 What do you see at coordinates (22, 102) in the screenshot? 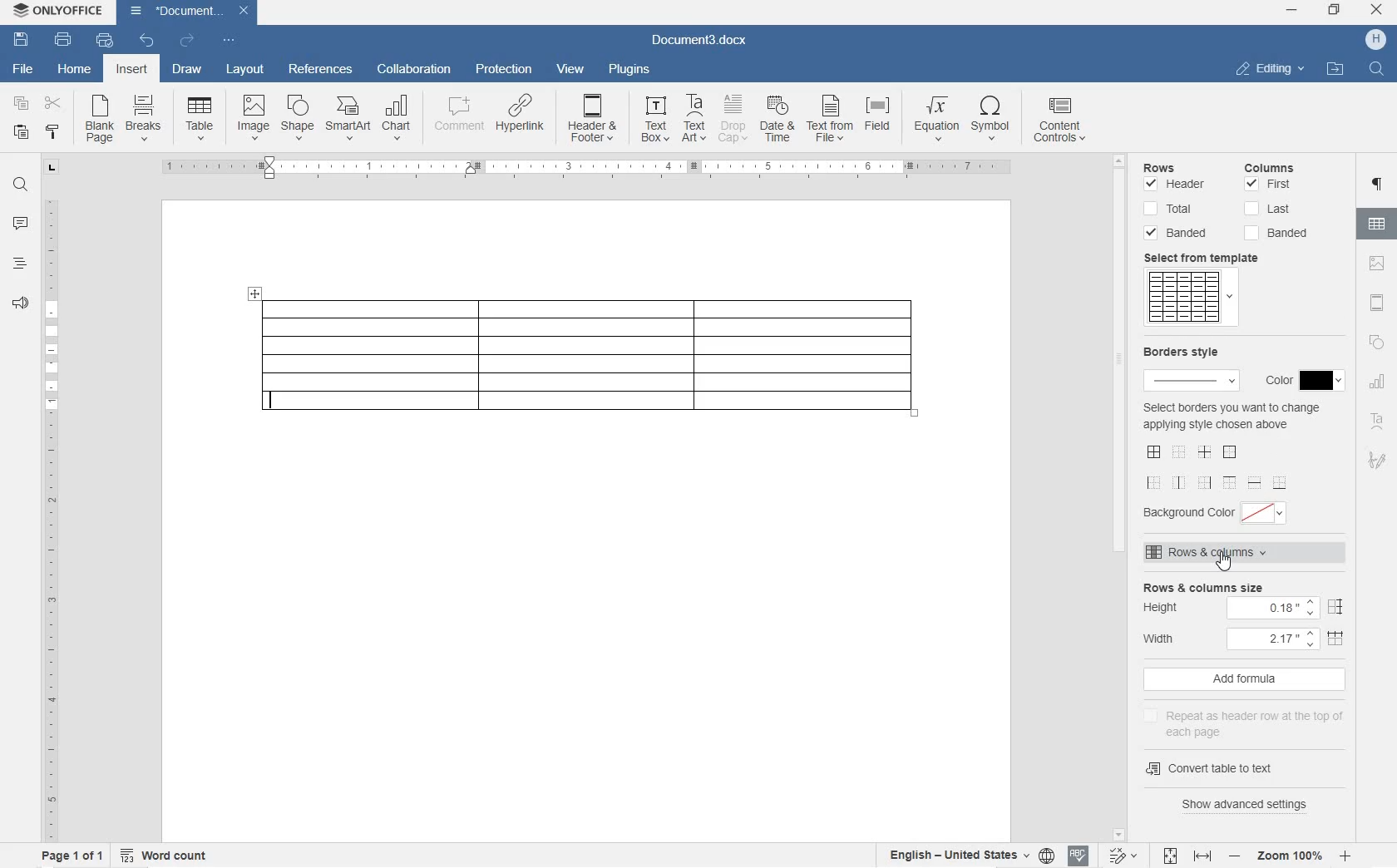
I see `COPY` at bounding box center [22, 102].